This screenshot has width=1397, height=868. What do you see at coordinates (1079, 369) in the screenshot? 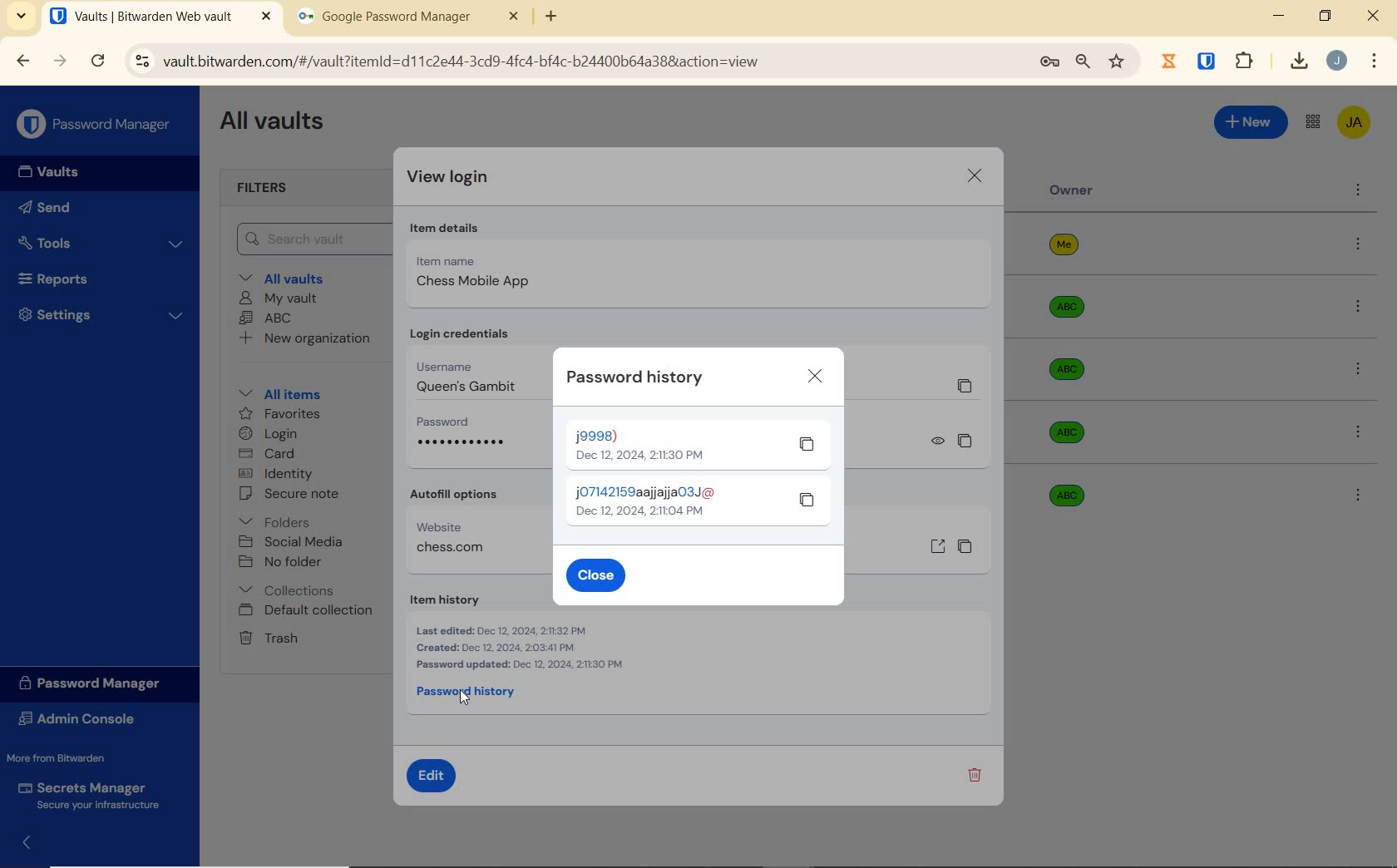
I see `abc` at bounding box center [1079, 369].